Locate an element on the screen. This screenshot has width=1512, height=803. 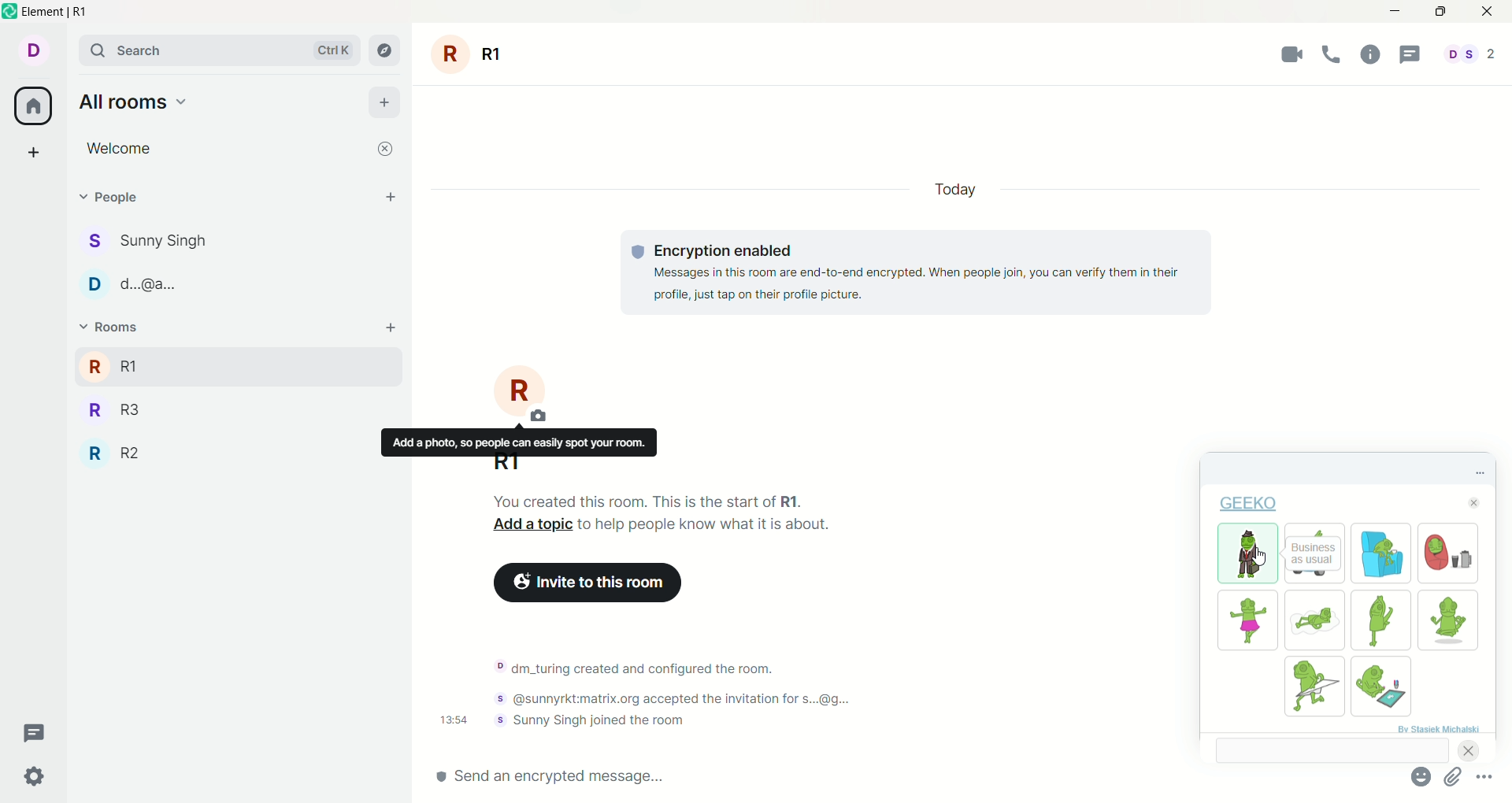
Geeko chillin' sticker is located at coordinates (1382, 553).